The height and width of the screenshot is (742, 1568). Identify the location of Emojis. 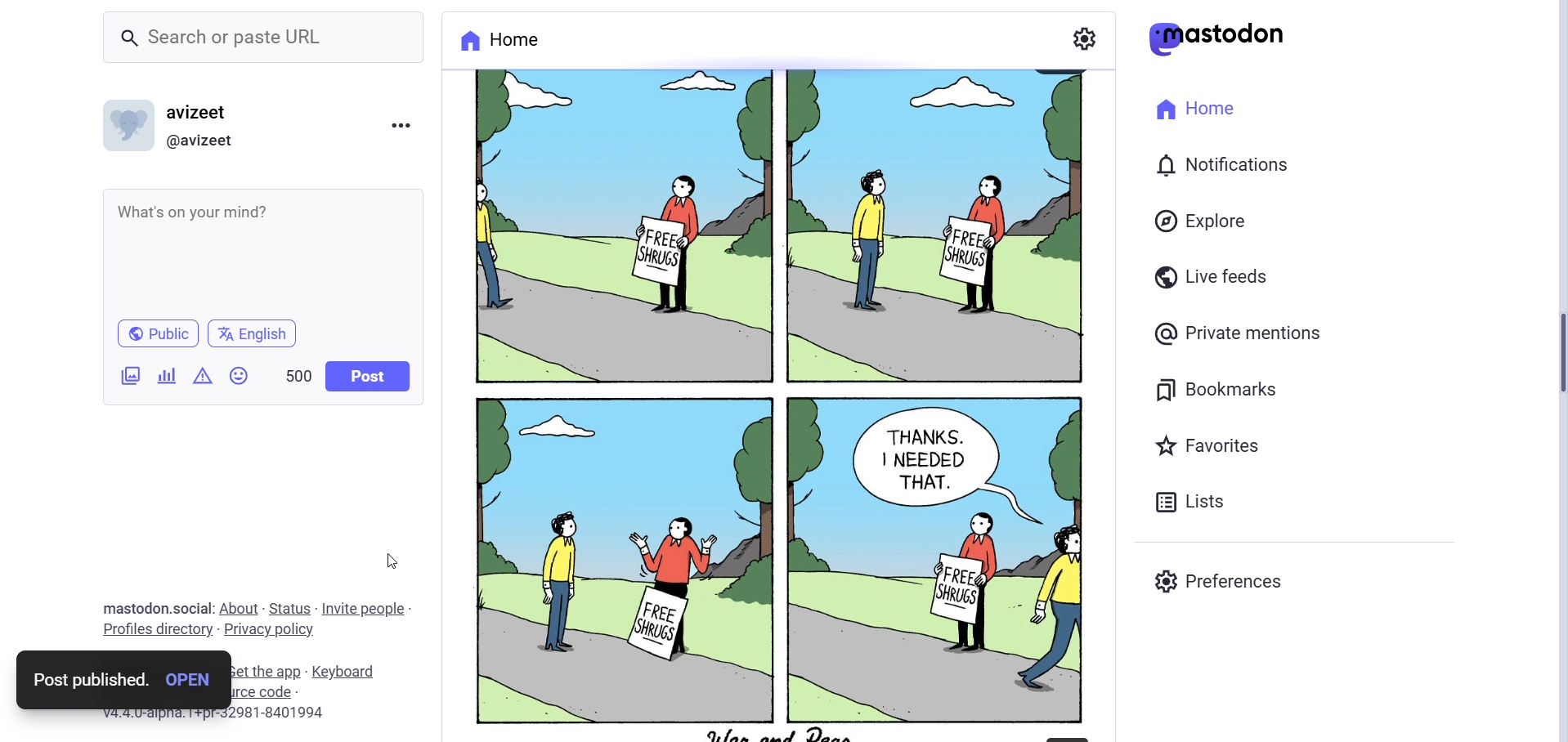
(241, 378).